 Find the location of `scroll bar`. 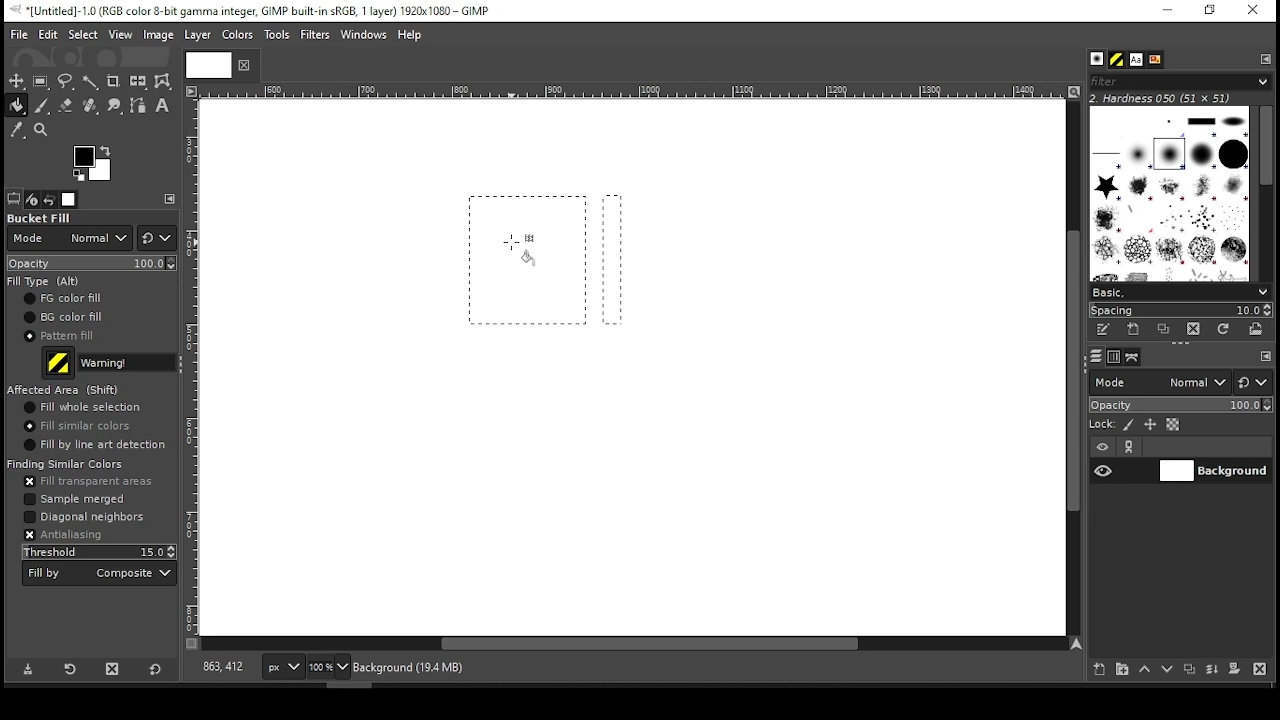

scroll bar is located at coordinates (1071, 367).